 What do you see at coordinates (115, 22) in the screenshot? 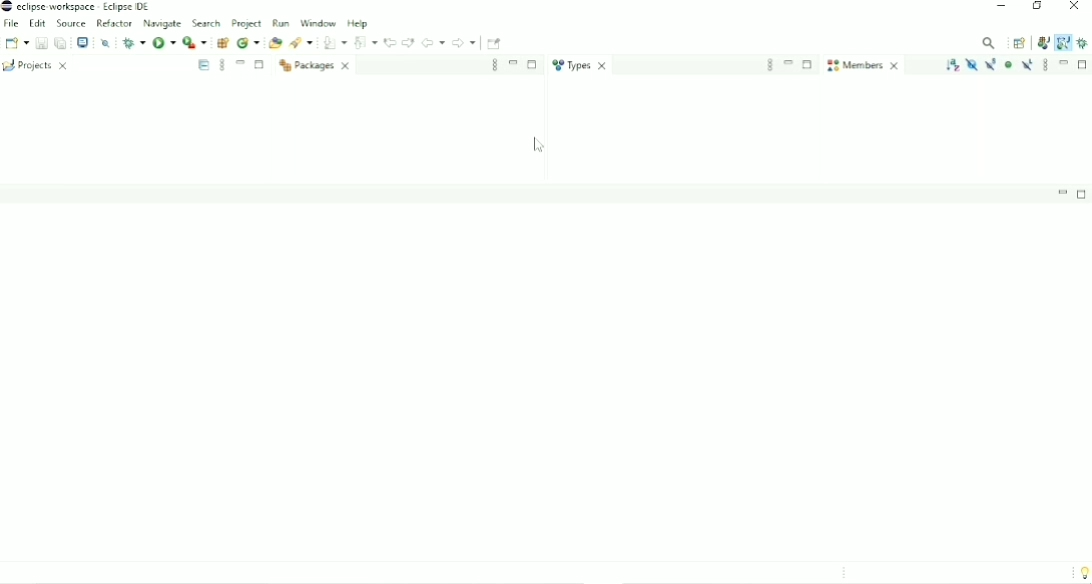
I see `Refractor` at bounding box center [115, 22].